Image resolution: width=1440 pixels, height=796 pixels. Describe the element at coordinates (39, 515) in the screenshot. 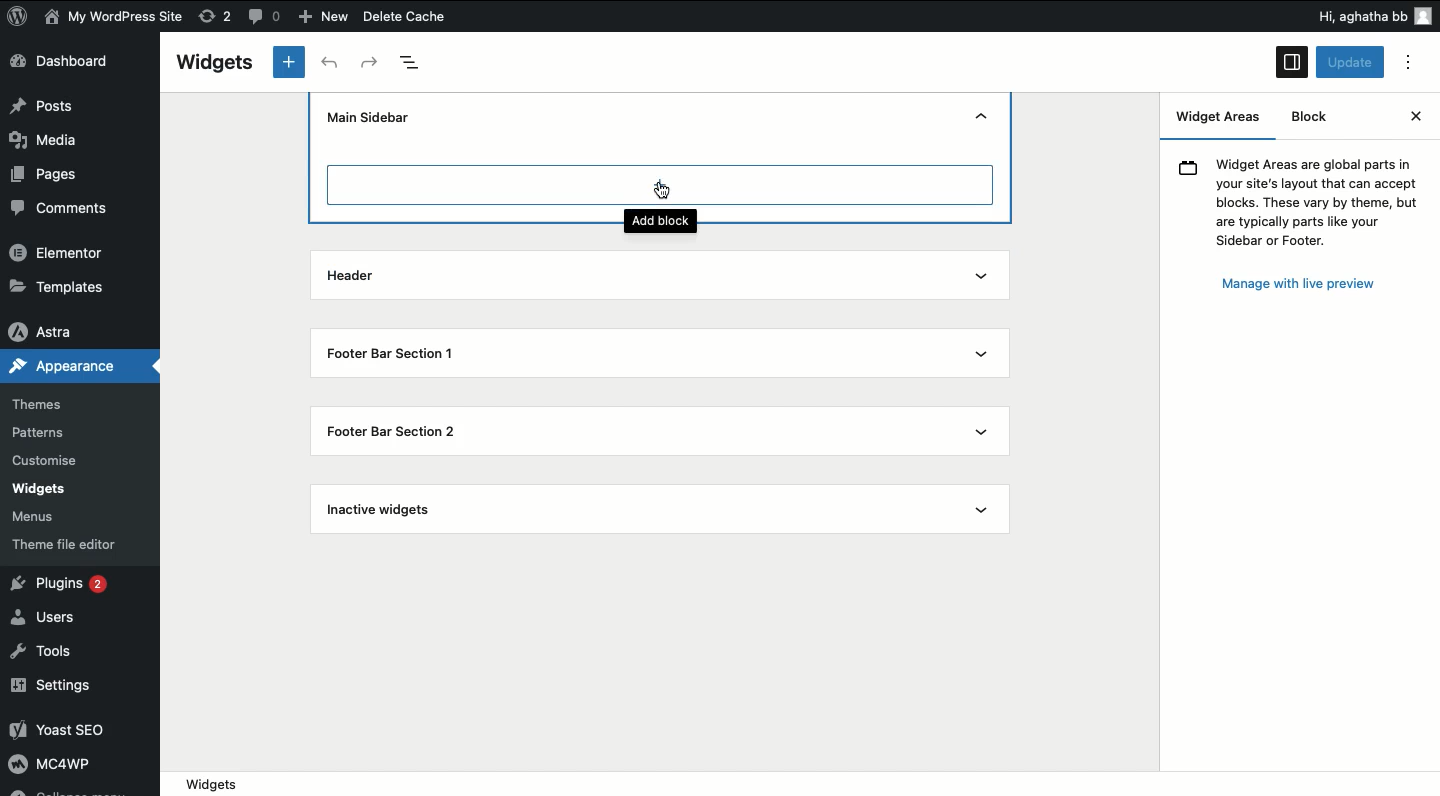

I see `‘Menus` at that location.